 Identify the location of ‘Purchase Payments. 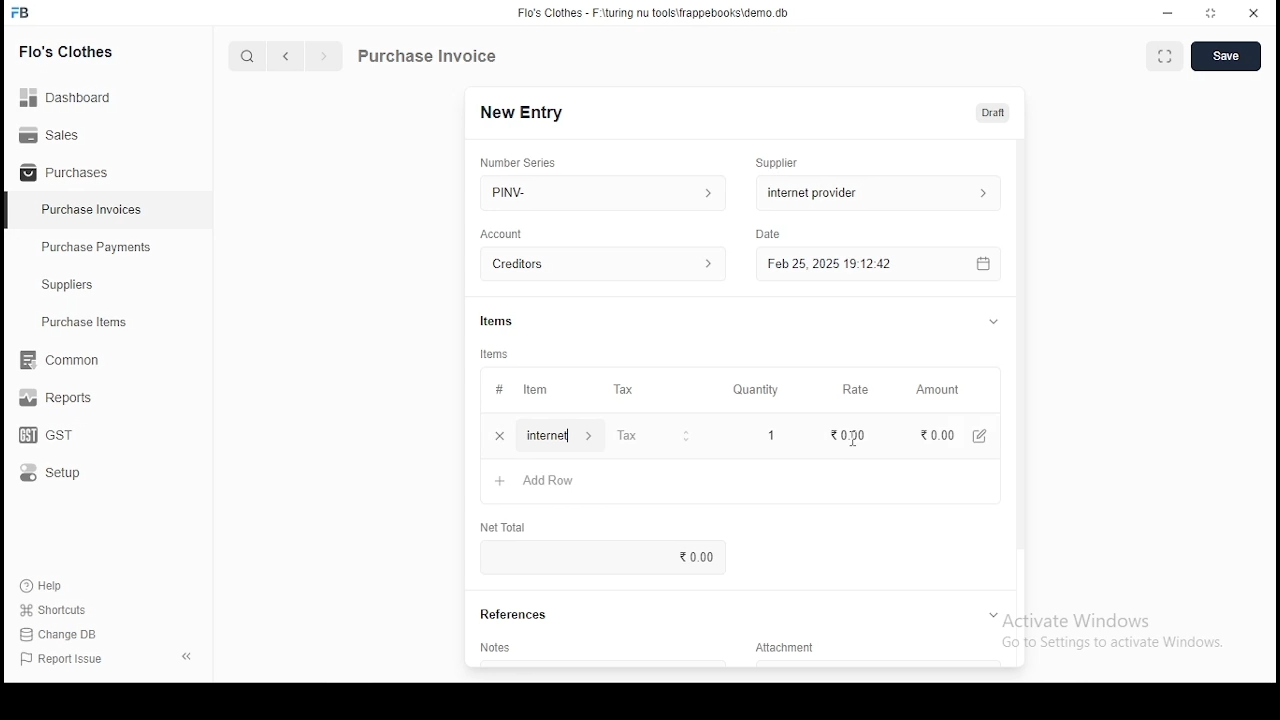
(98, 247).